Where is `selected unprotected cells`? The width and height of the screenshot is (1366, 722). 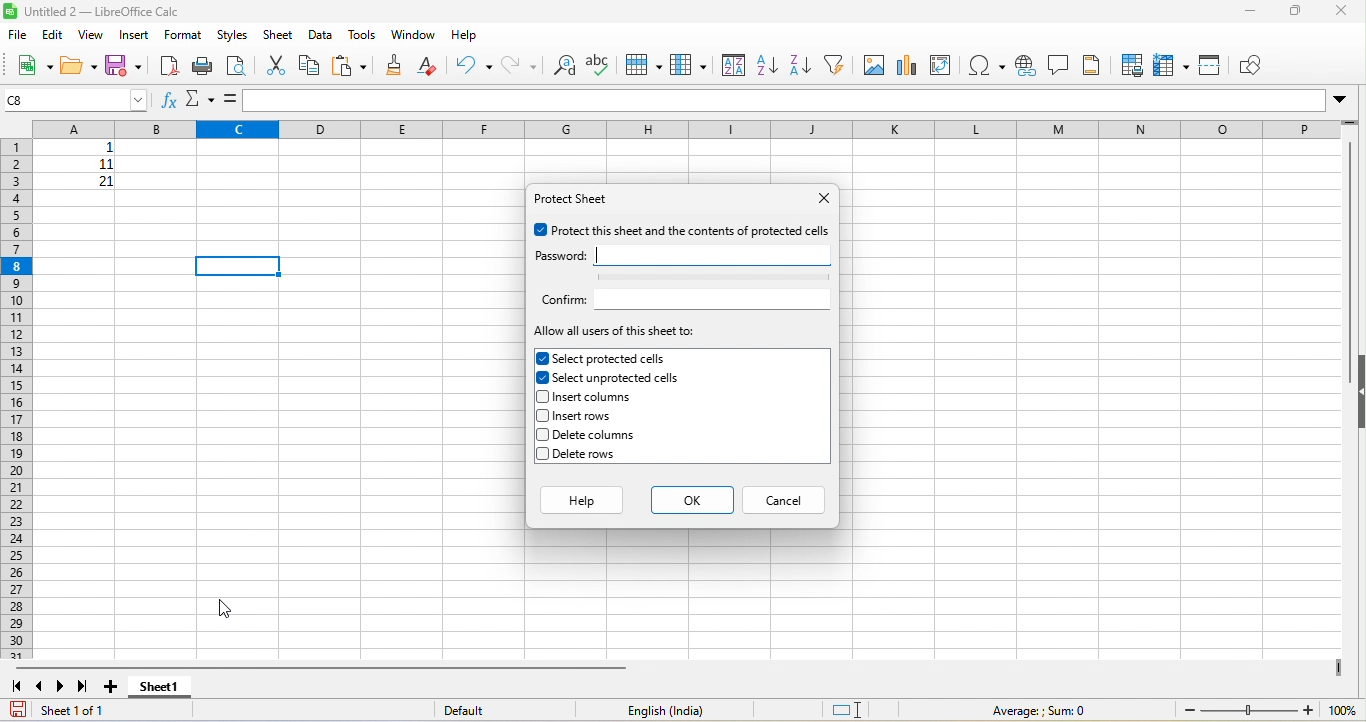 selected unprotected cells is located at coordinates (608, 377).